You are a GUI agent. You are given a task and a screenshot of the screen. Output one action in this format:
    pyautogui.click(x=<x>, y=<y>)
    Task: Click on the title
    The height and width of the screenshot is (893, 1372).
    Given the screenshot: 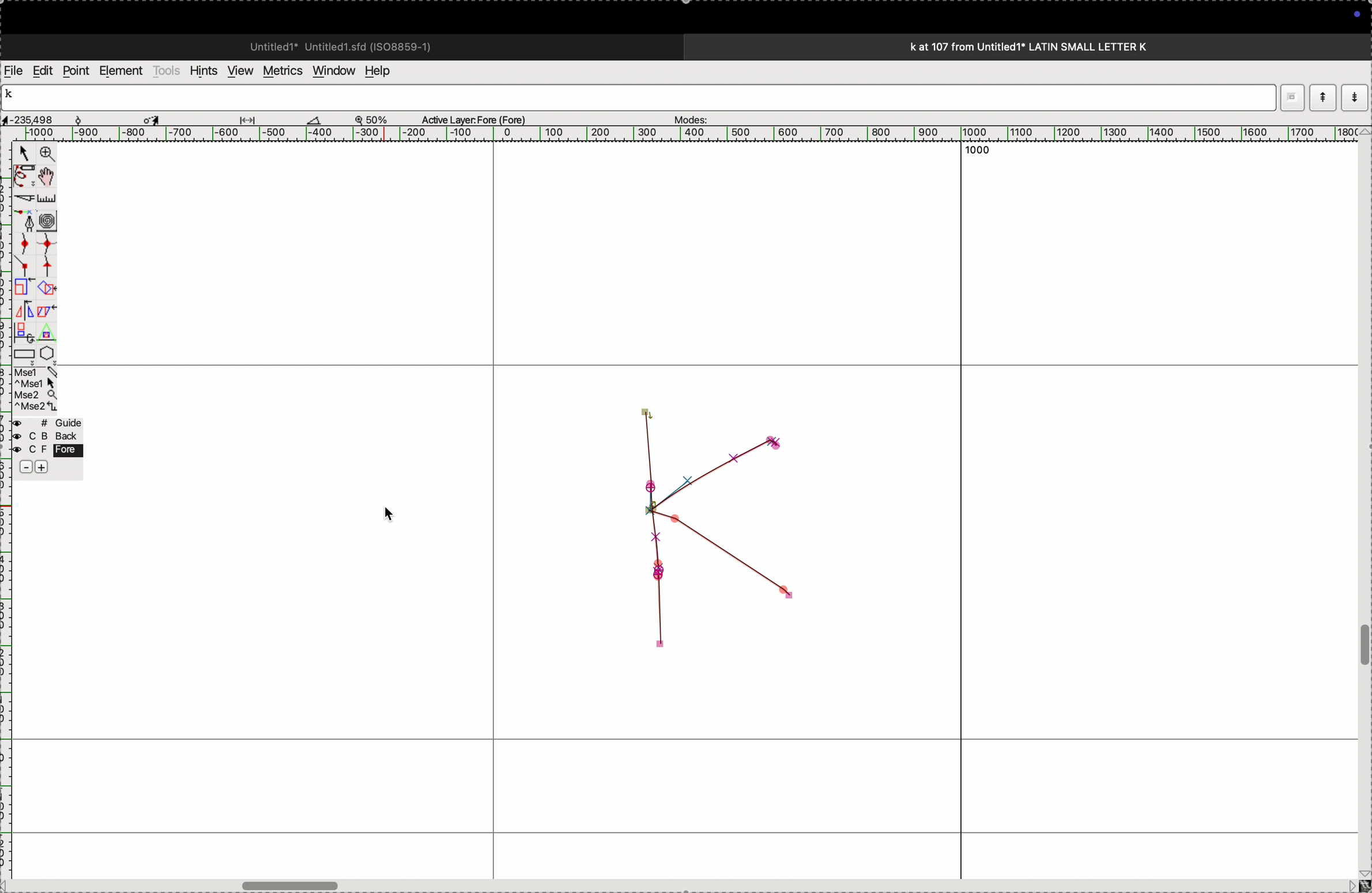 What is the action you would take?
    pyautogui.click(x=1060, y=46)
    